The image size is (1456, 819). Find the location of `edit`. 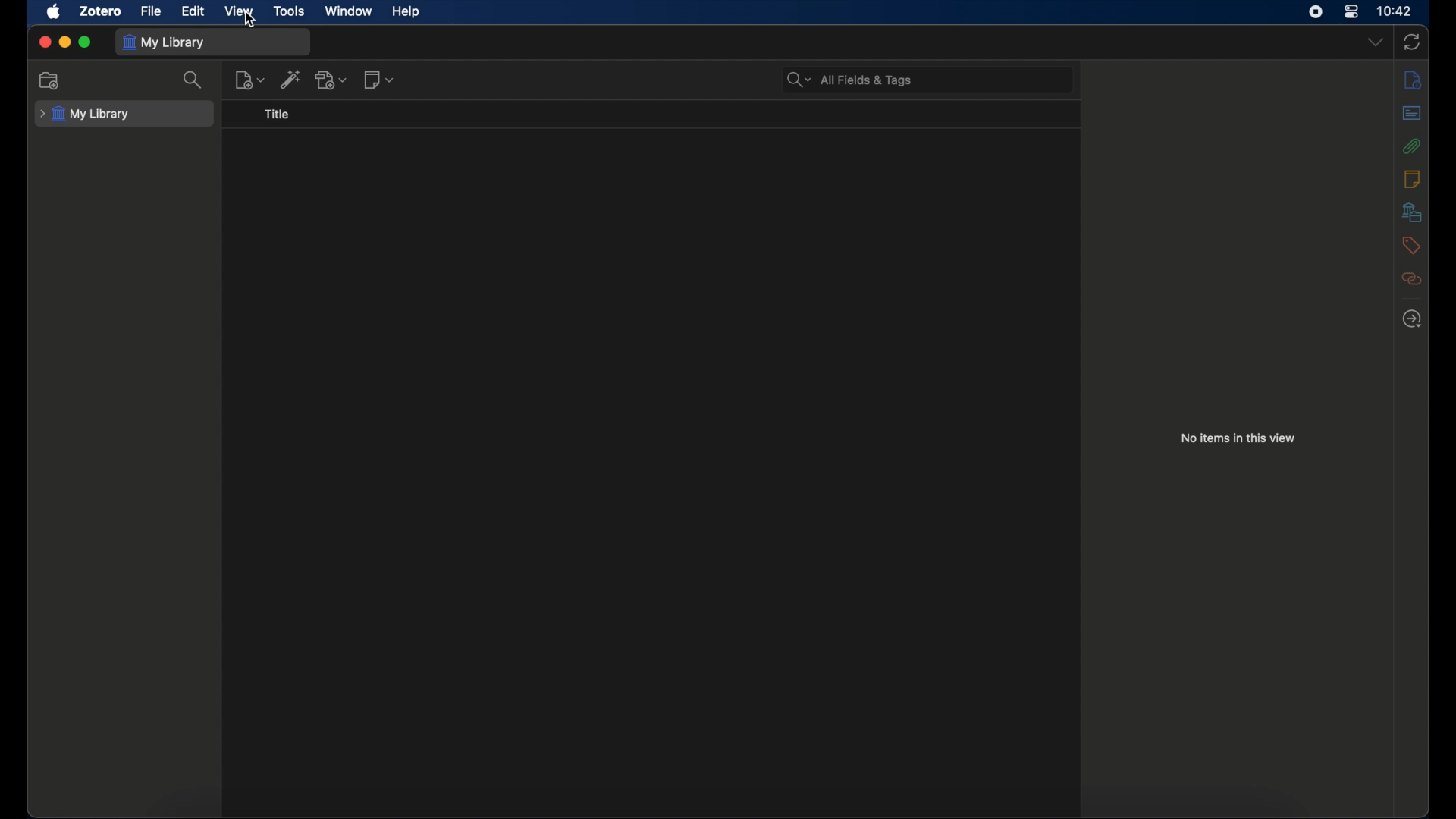

edit is located at coordinates (195, 11).